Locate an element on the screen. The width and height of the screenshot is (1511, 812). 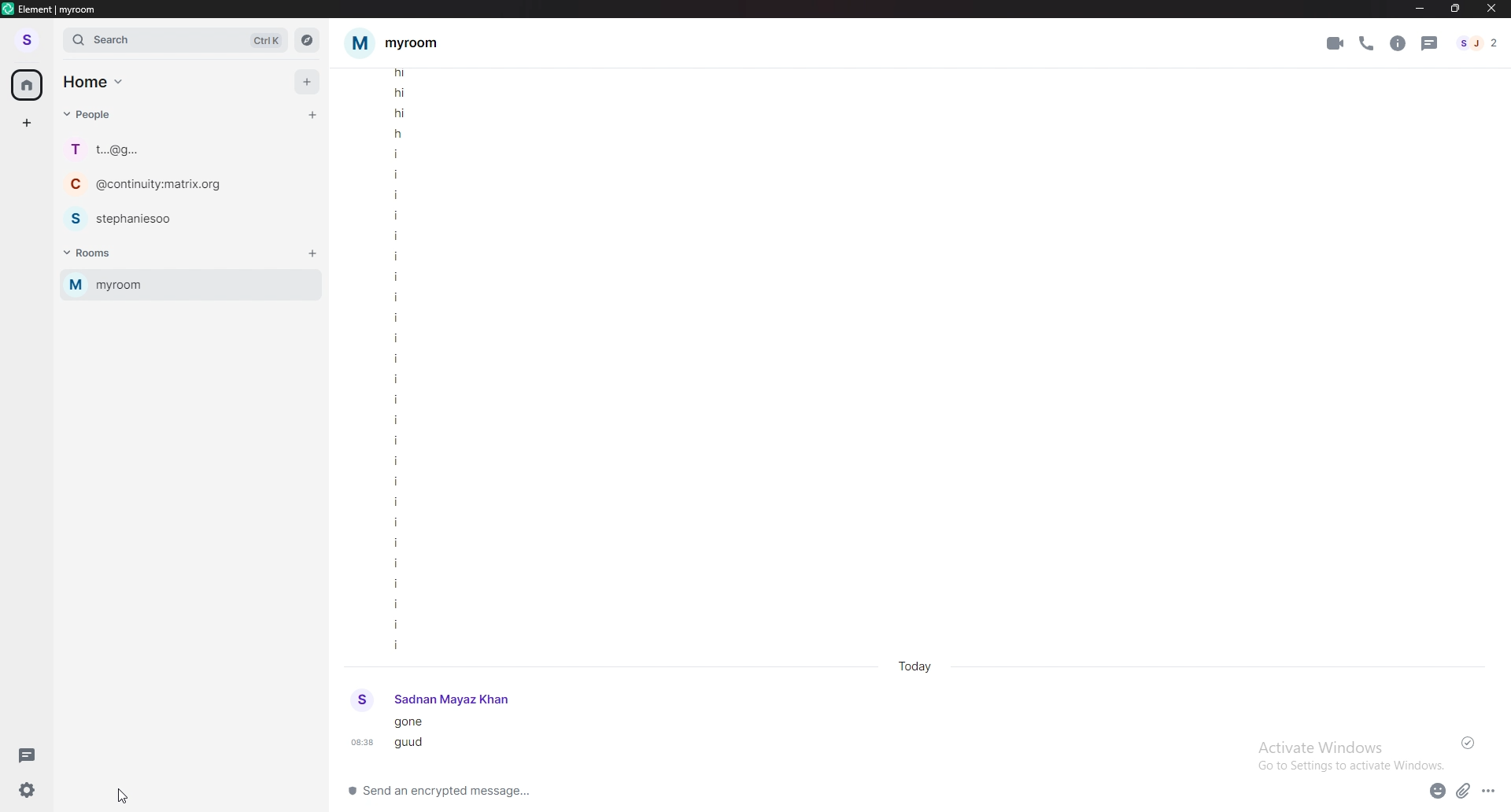
home is located at coordinates (93, 81).